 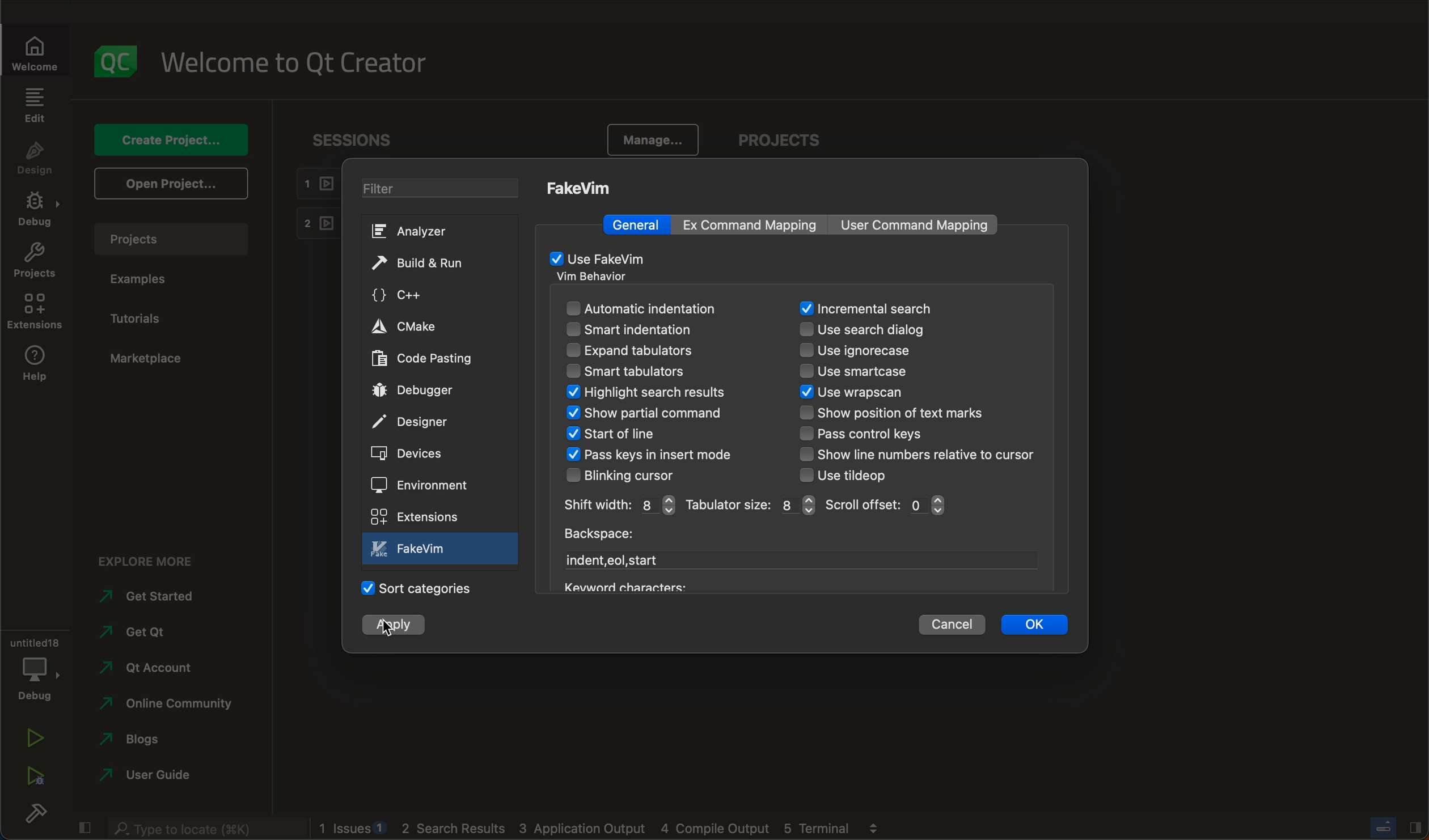 What do you see at coordinates (425, 359) in the screenshot?
I see `code` at bounding box center [425, 359].